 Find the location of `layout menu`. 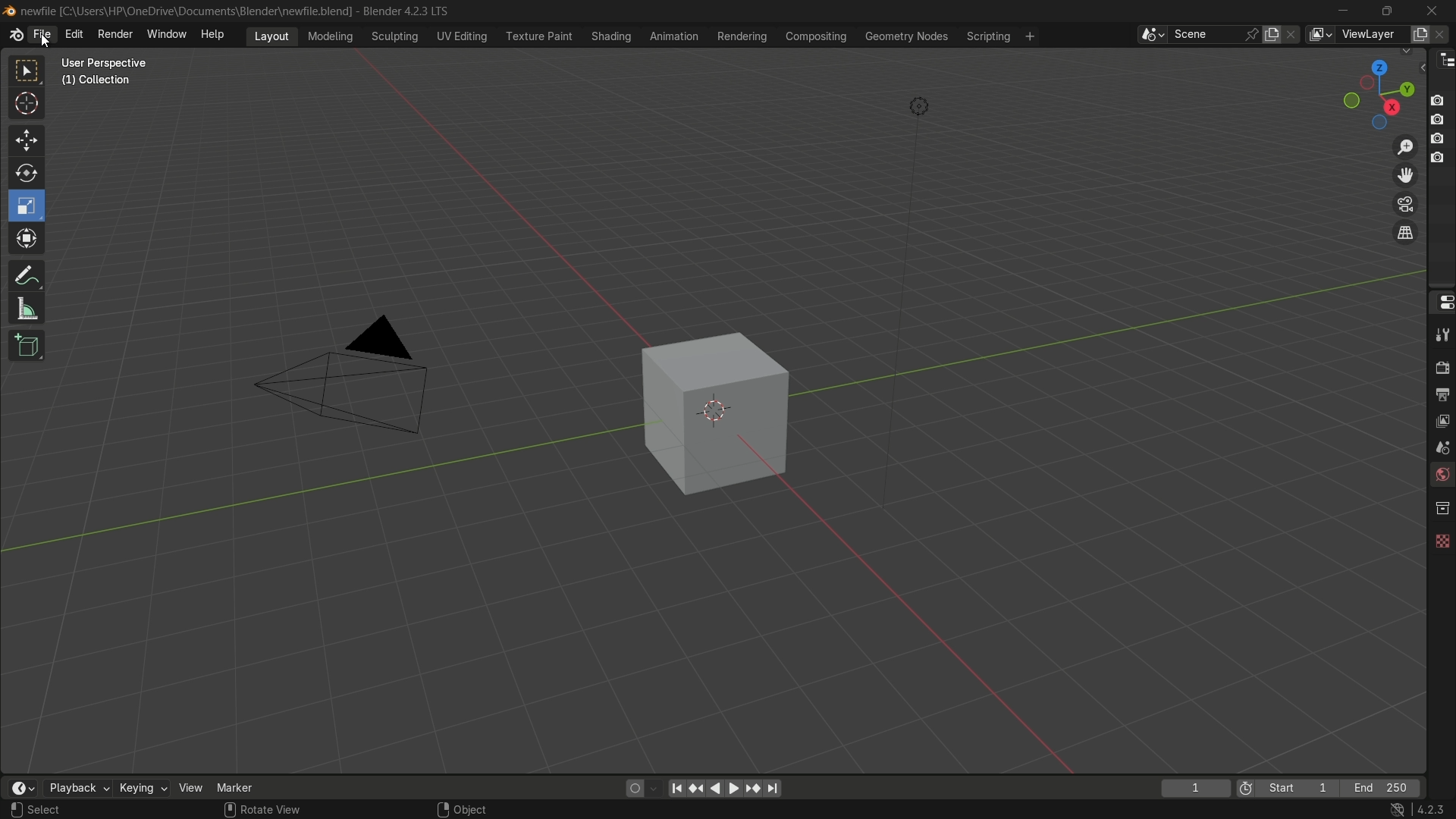

layout menu is located at coordinates (271, 35).